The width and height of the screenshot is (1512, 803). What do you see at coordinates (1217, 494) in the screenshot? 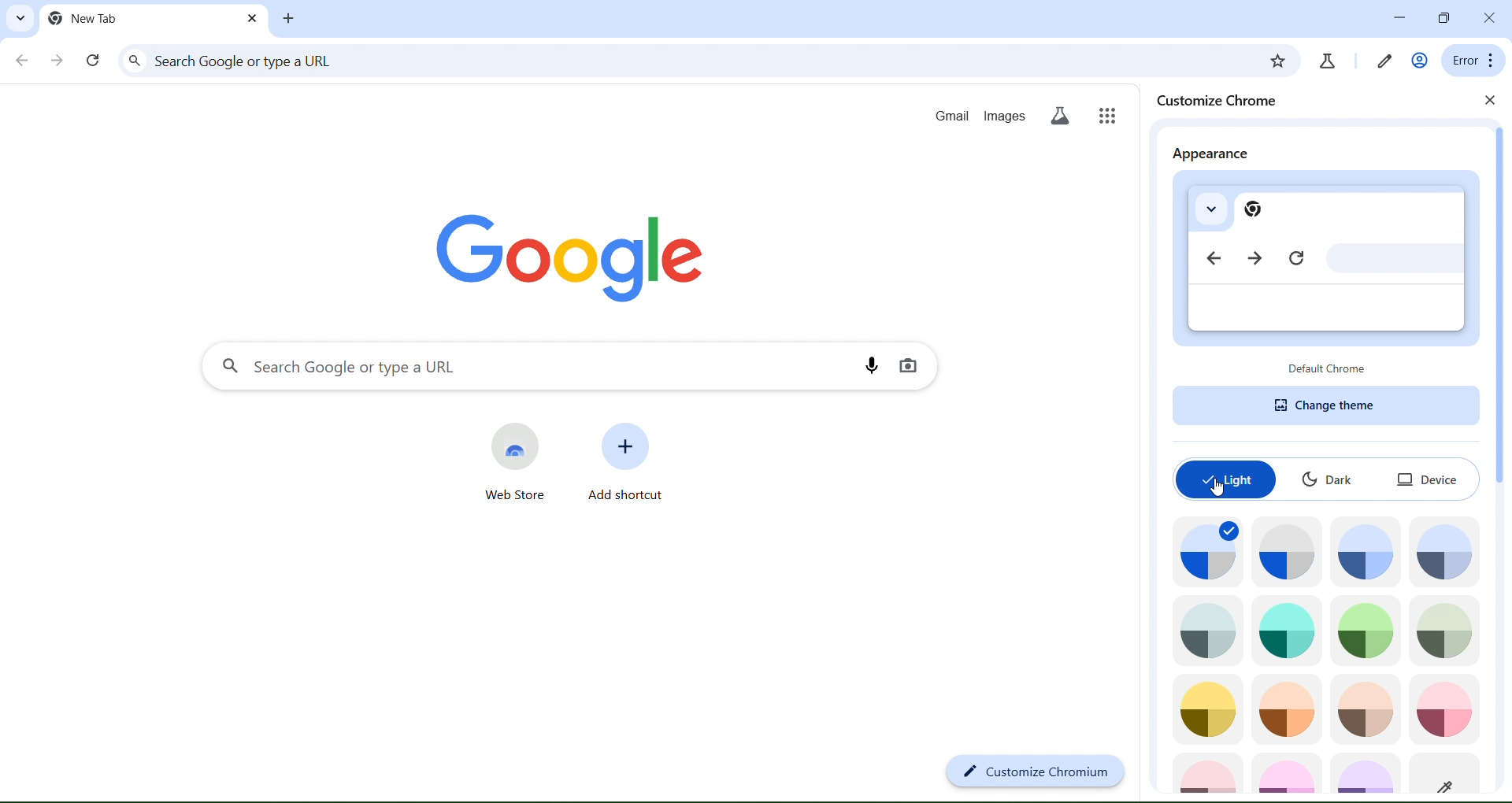
I see `cursor` at bounding box center [1217, 494].